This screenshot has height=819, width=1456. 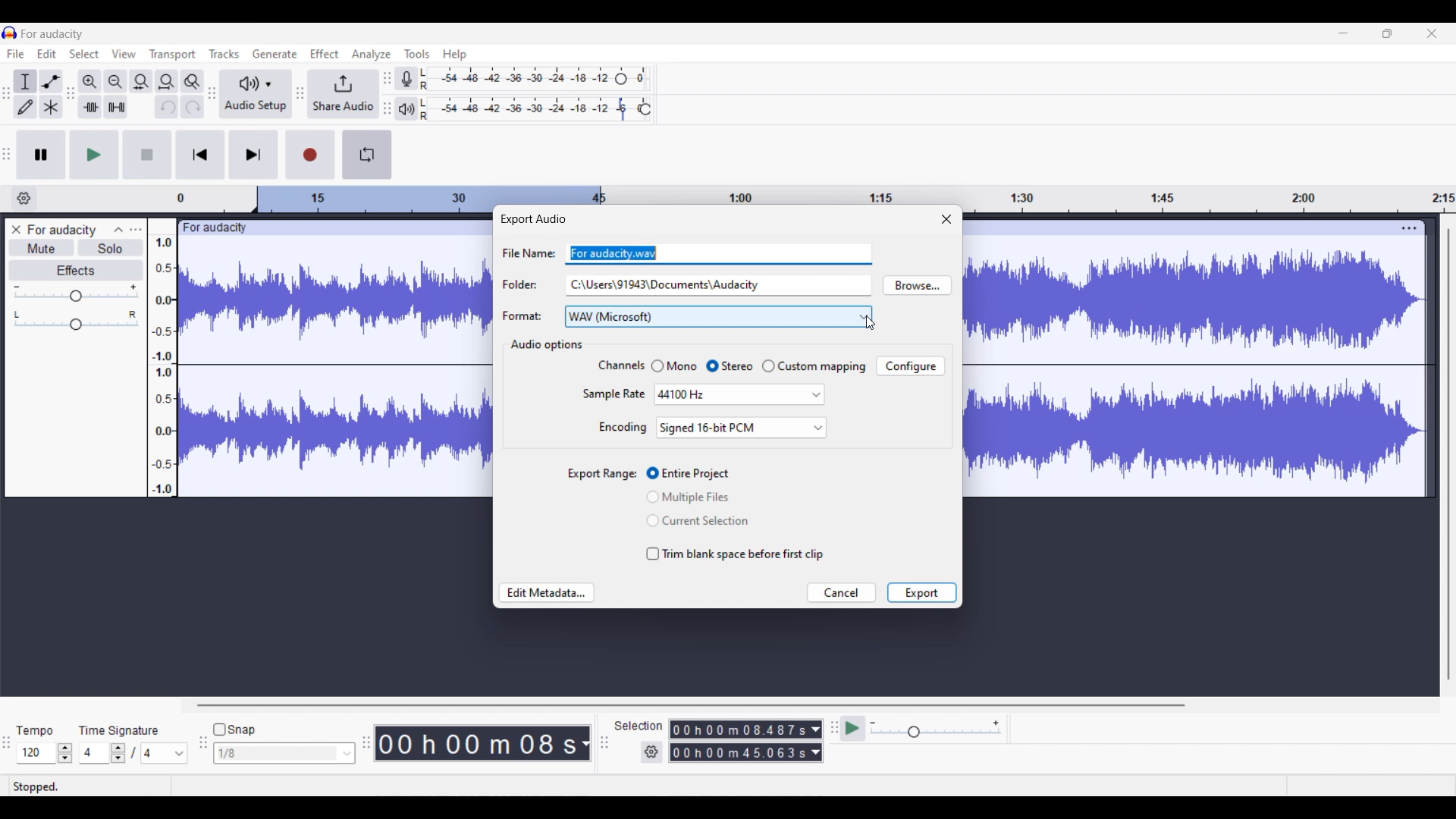 I want to click on Enable looping, so click(x=366, y=155).